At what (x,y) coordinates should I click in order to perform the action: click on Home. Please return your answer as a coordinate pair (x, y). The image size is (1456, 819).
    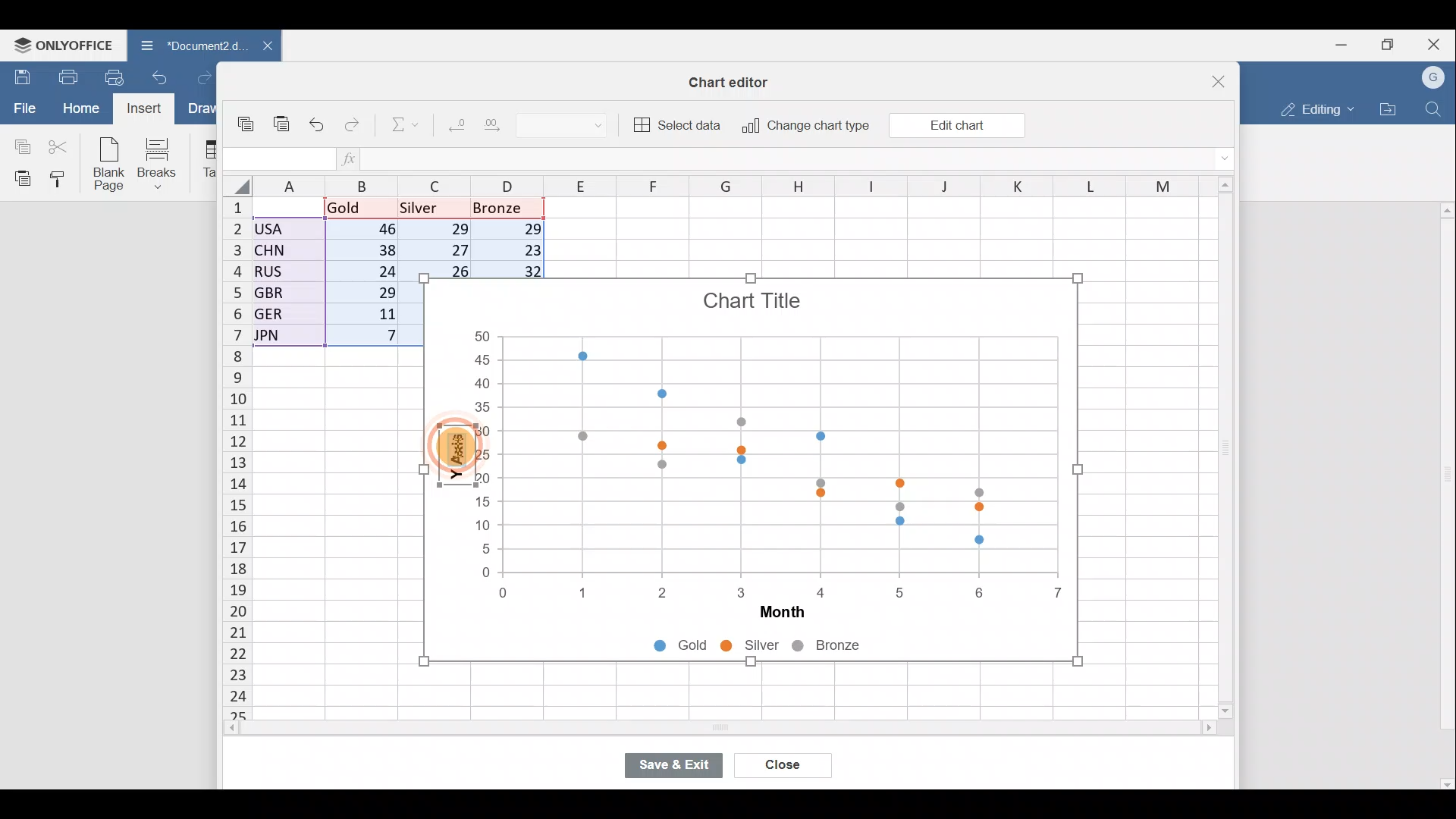
    Looking at the image, I should click on (77, 111).